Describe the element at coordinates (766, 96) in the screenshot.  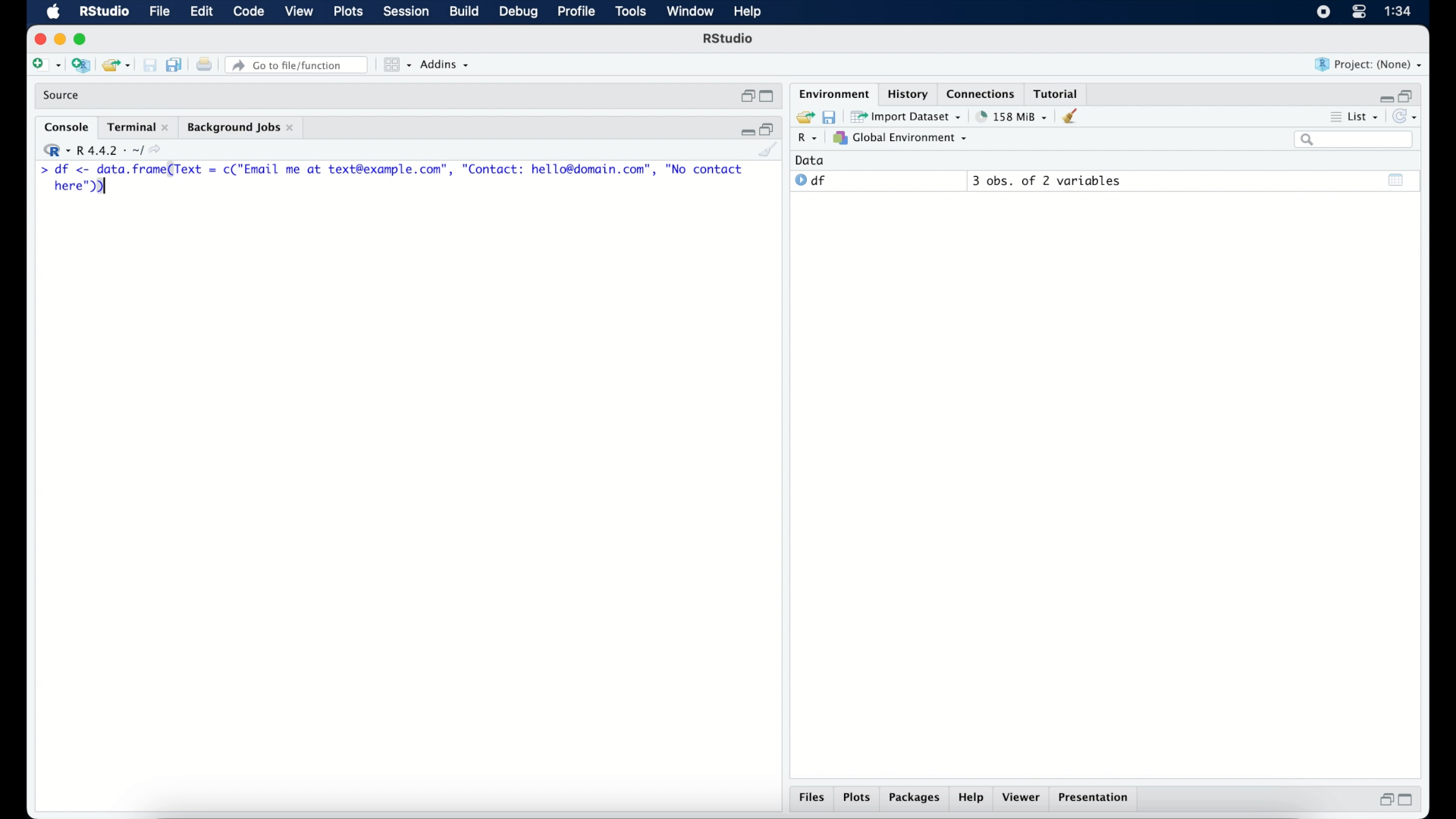
I see `maximize` at that location.